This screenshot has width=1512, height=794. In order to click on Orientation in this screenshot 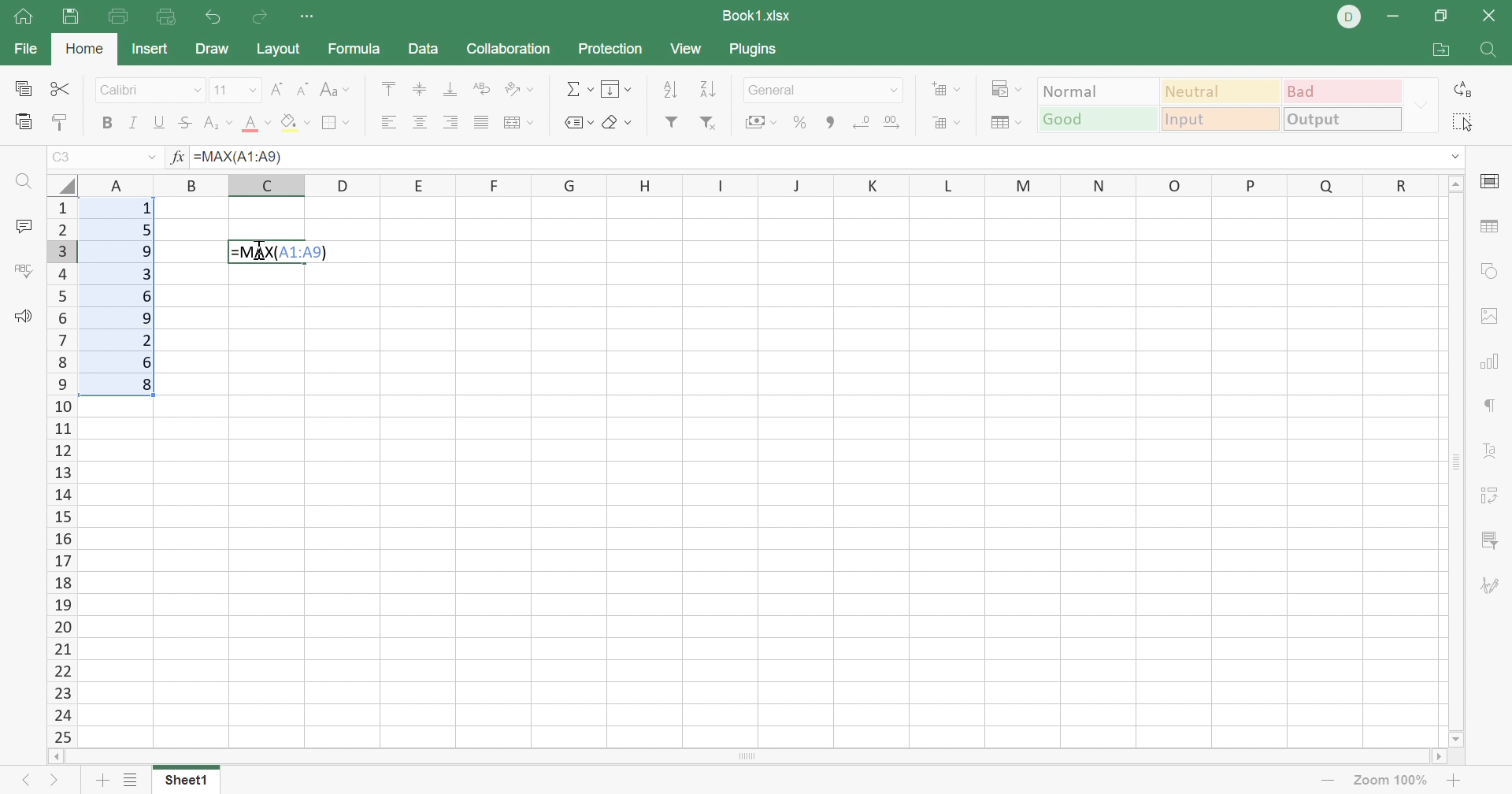, I will do `click(521, 91)`.